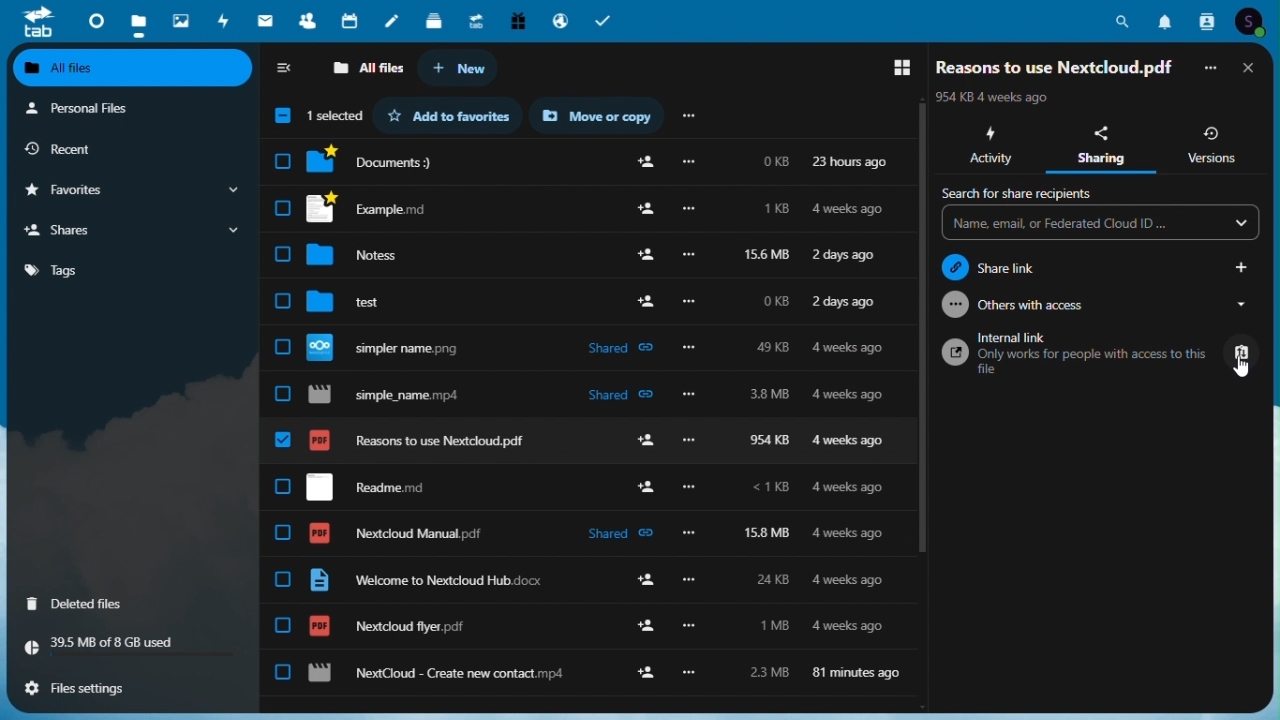  Describe the element at coordinates (646, 629) in the screenshot. I see ` add user` at that location.